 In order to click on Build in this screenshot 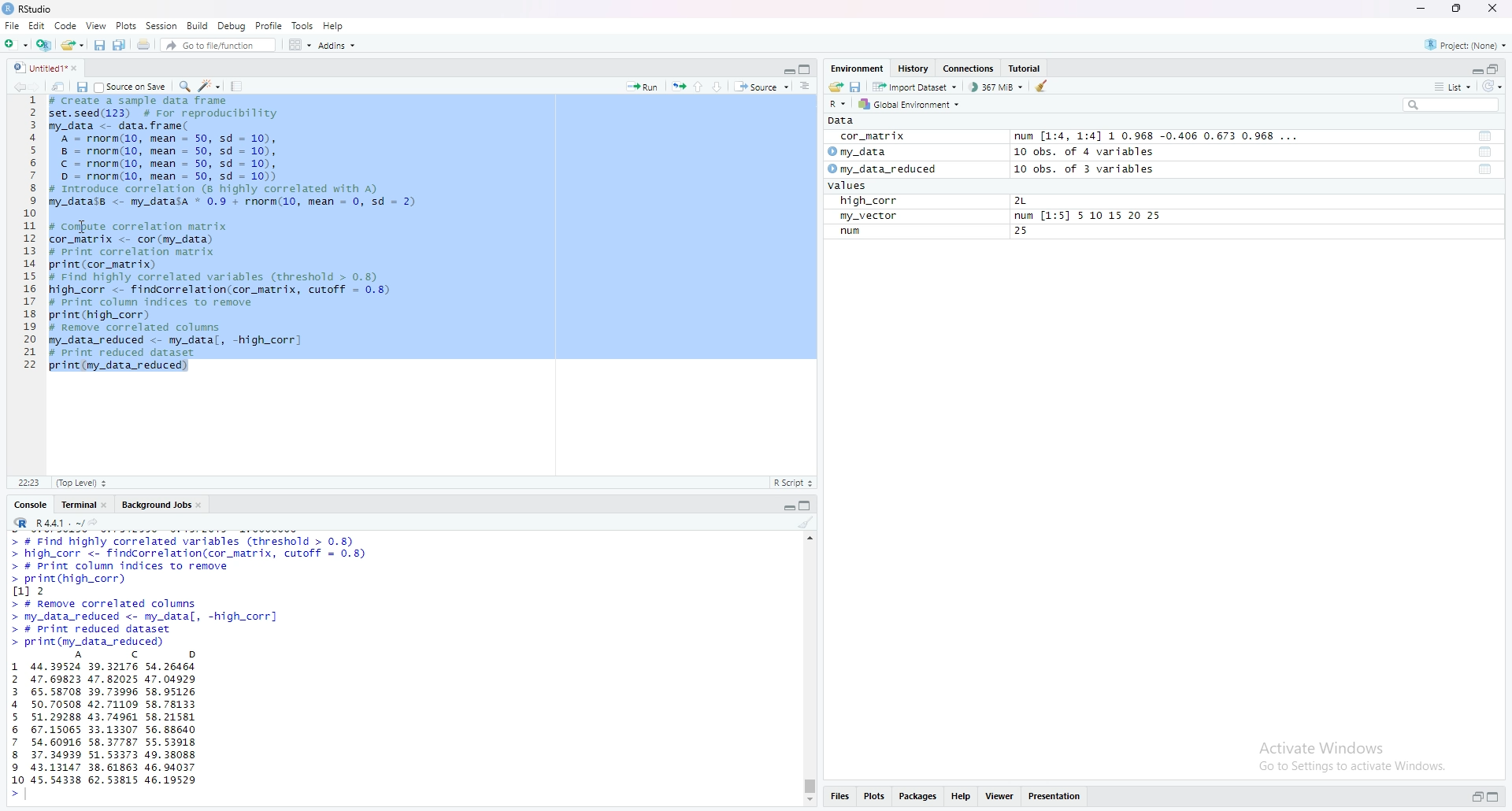, I will do `click(197, 26)`.